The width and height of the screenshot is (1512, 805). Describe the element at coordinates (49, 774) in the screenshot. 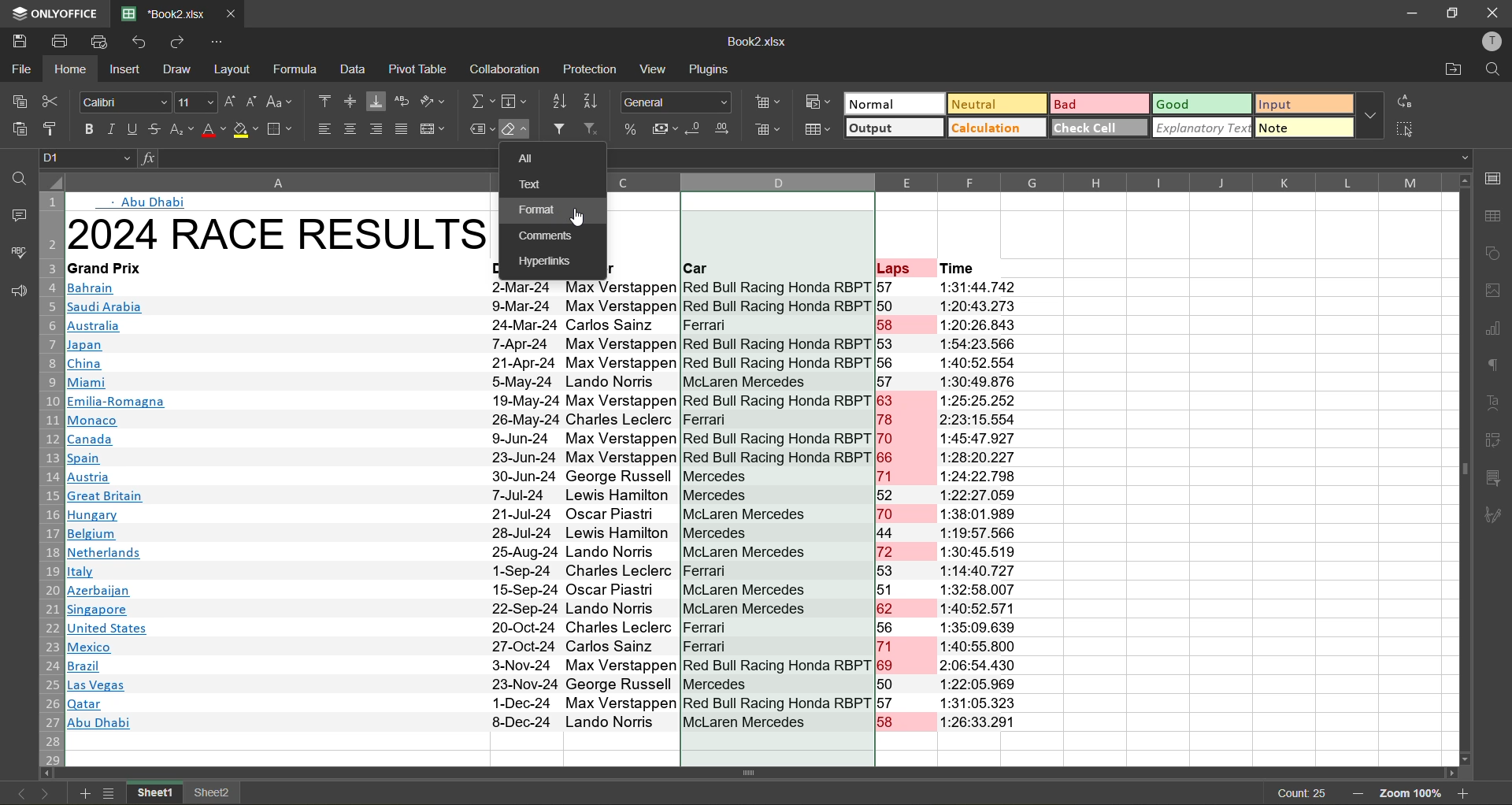

I see `move left` at that location.